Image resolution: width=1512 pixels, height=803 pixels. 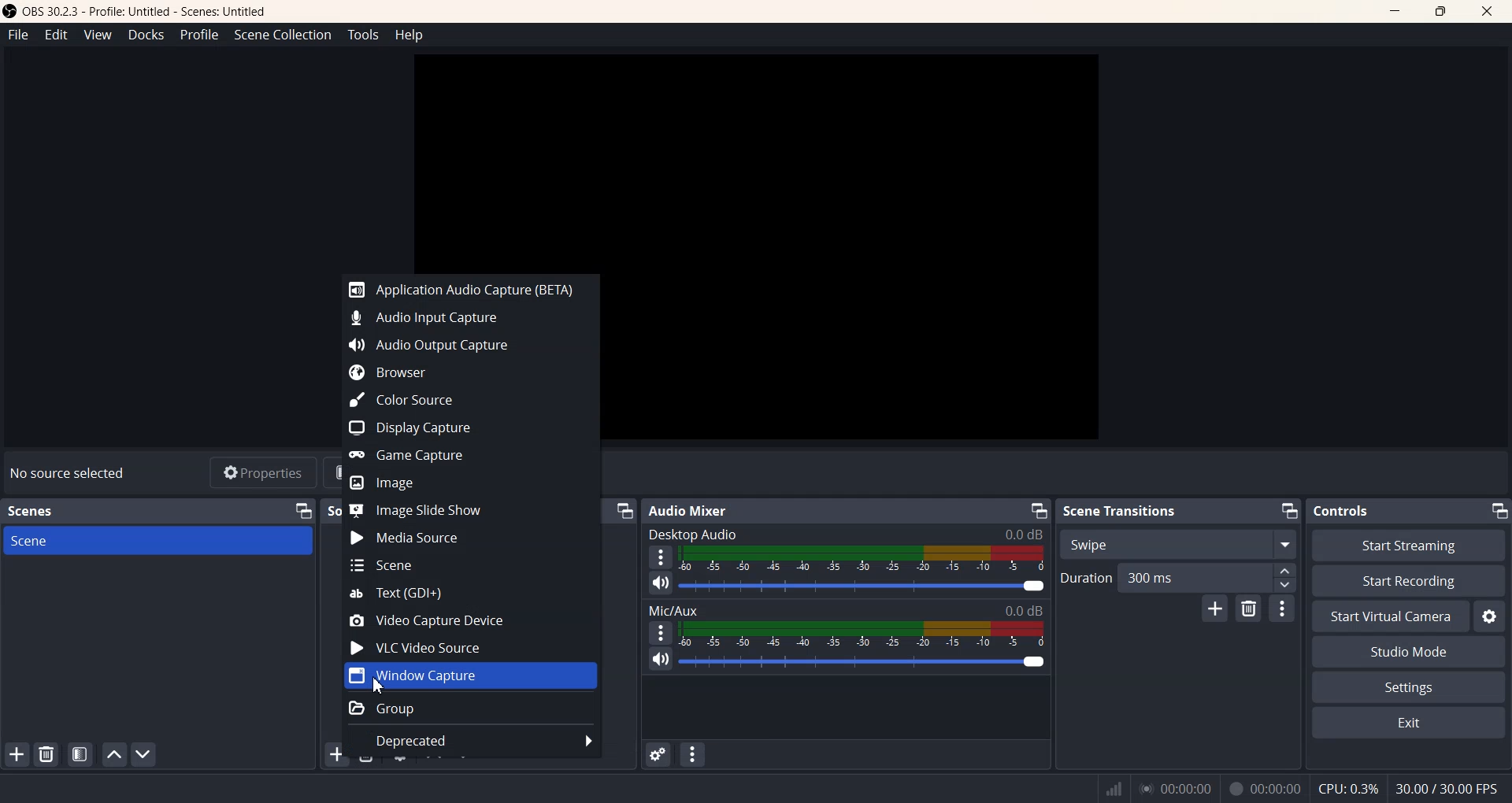 What do you see at coordinates (1409, 581) in the screenshot?
I see `Start Recording` at bounding box center [1409, 581].